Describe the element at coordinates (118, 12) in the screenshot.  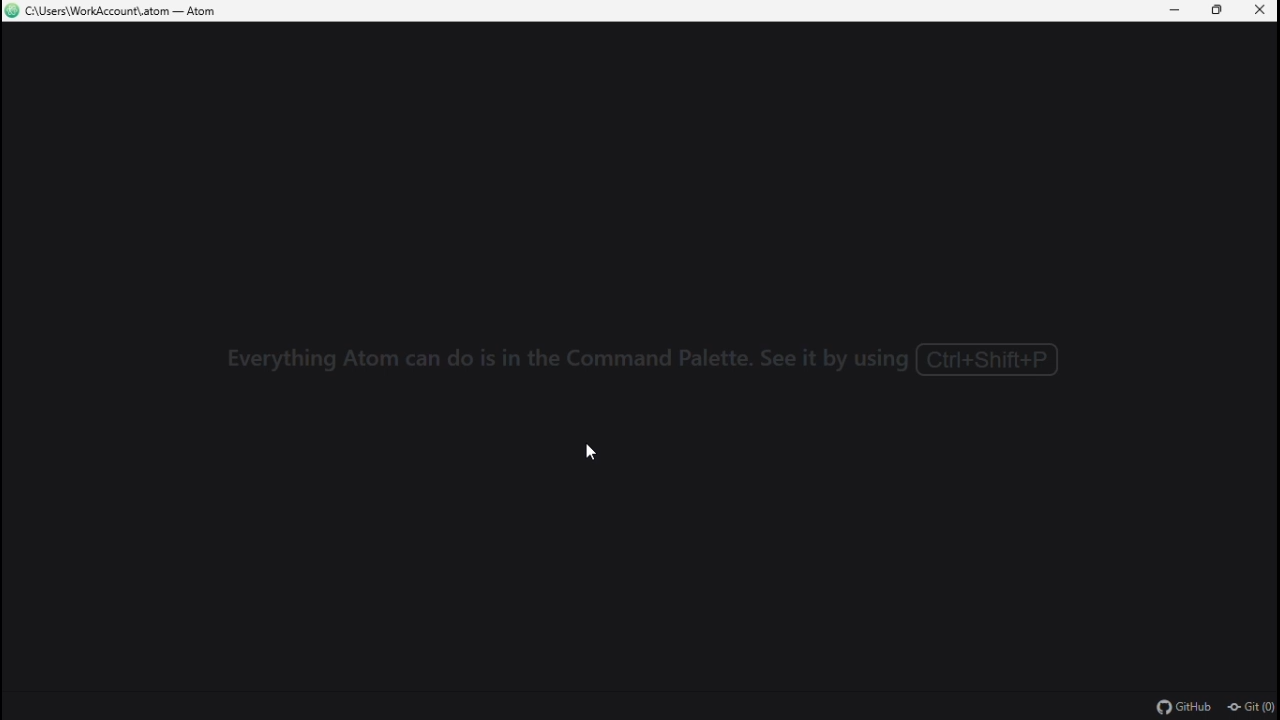
I see `File name and file path` at that location.